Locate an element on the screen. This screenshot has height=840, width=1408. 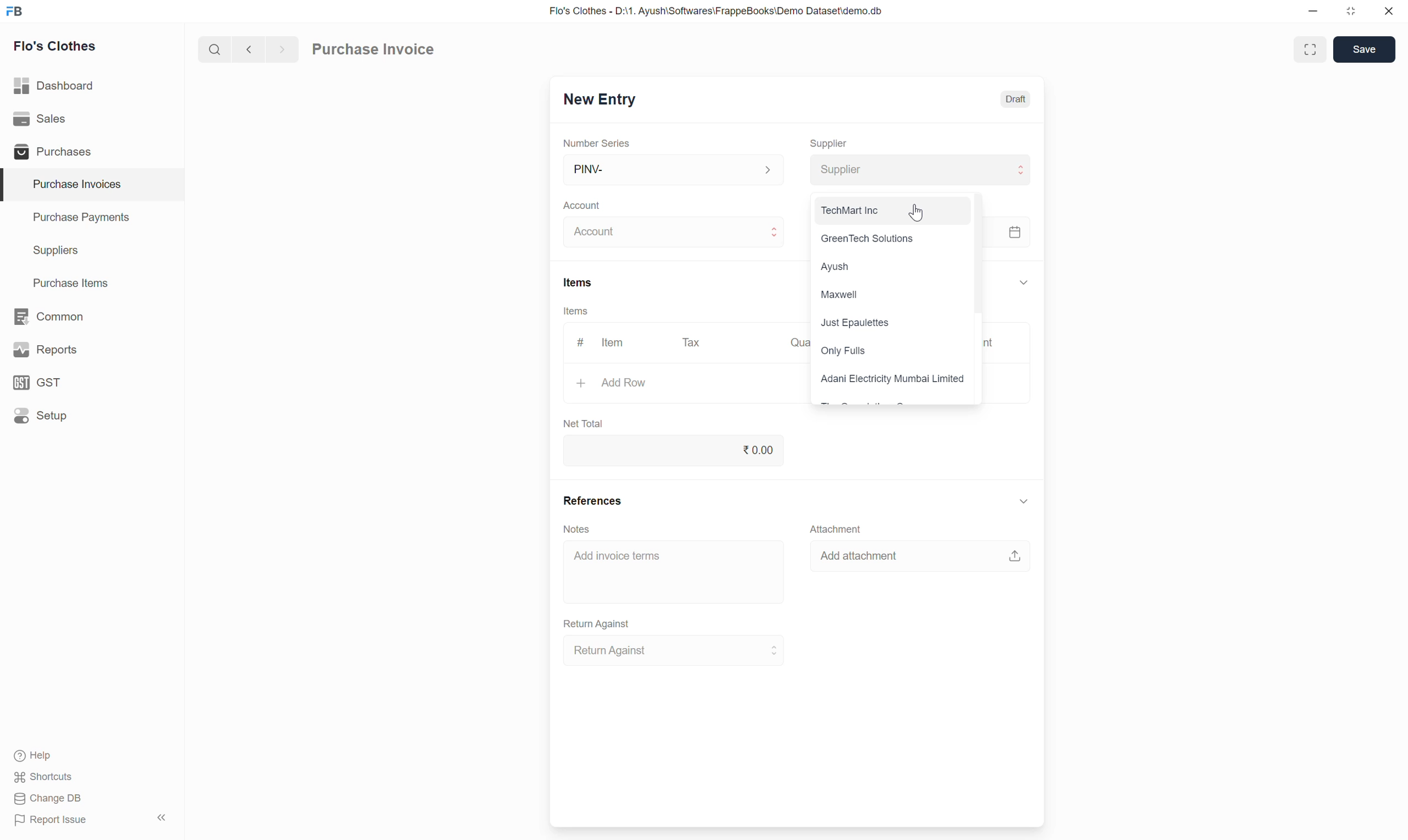
next is located at coordinates (284, 49).